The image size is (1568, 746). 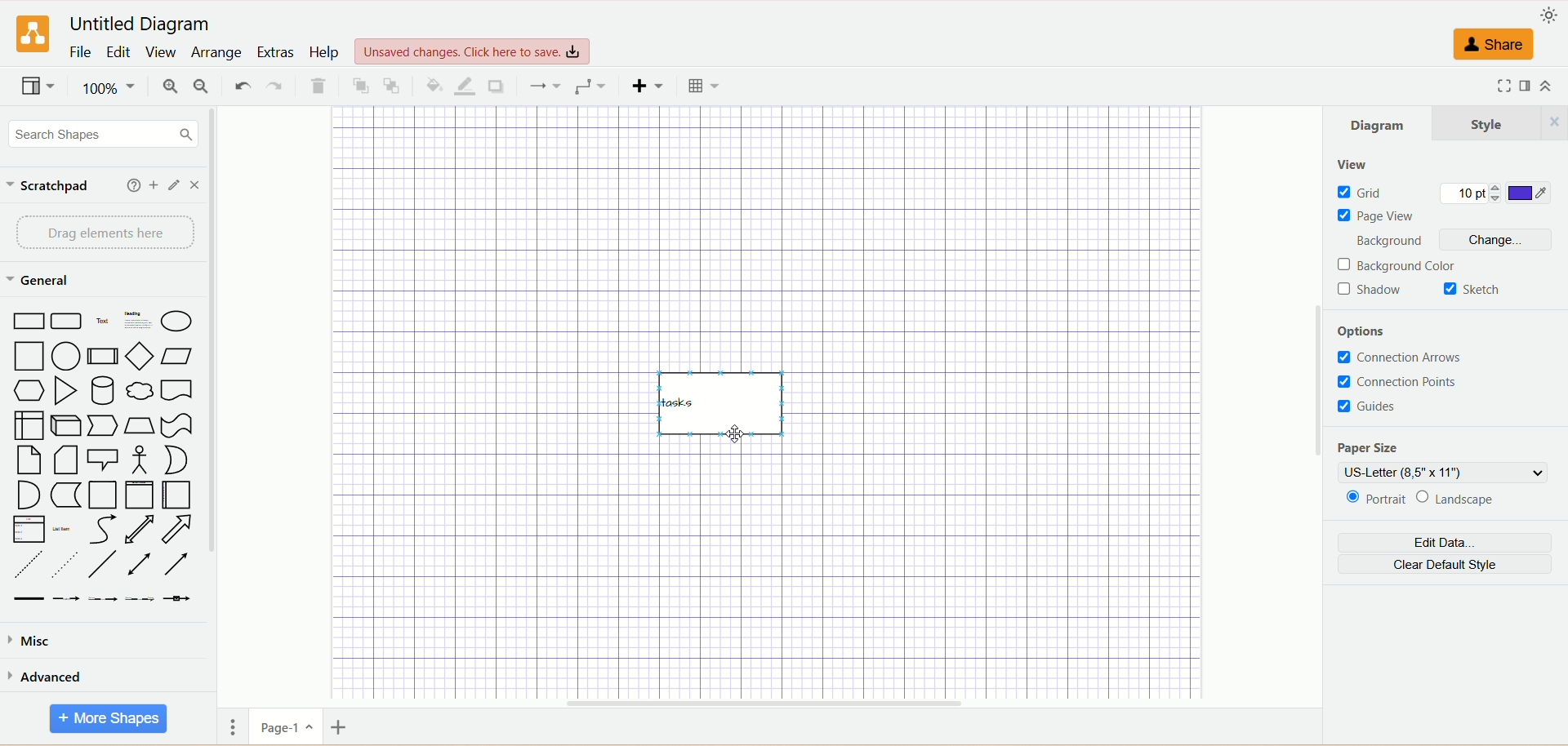 What do you see at coordinates (65, 461) in the screenshot?
I see `Folded Page` at bounding box center [65, 461].